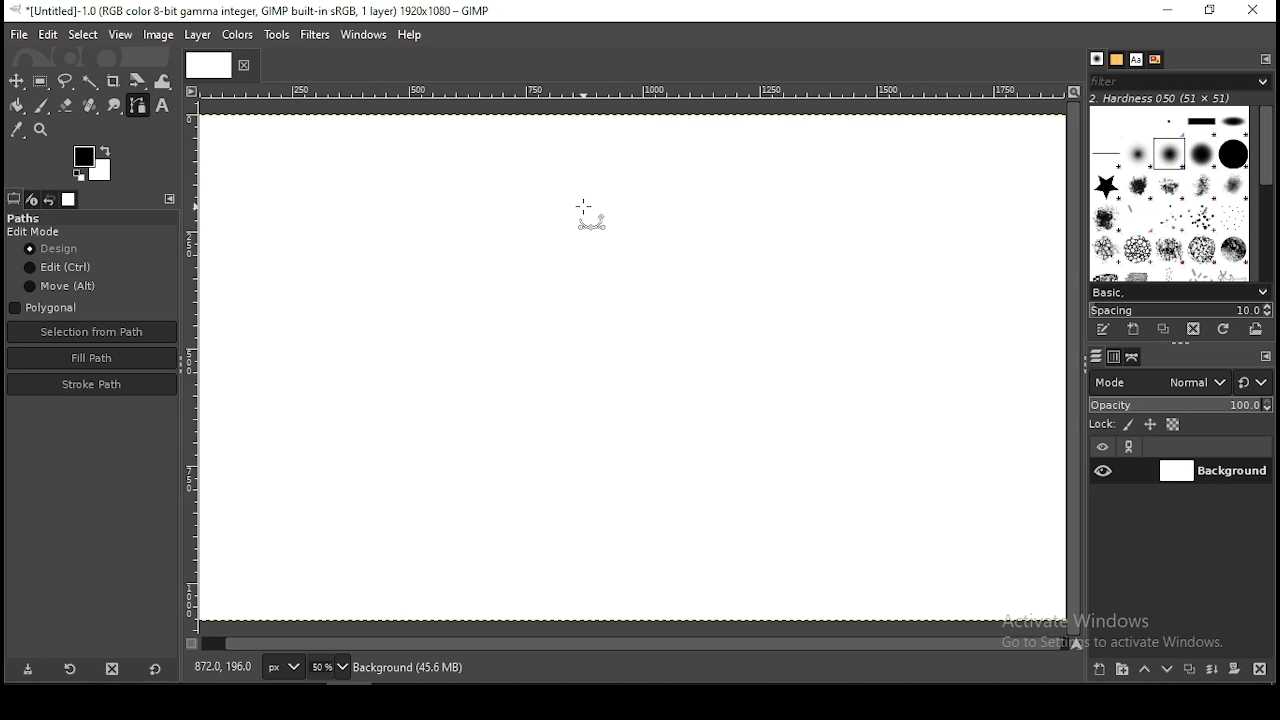  I want to click on tool options, so click(14, 198).